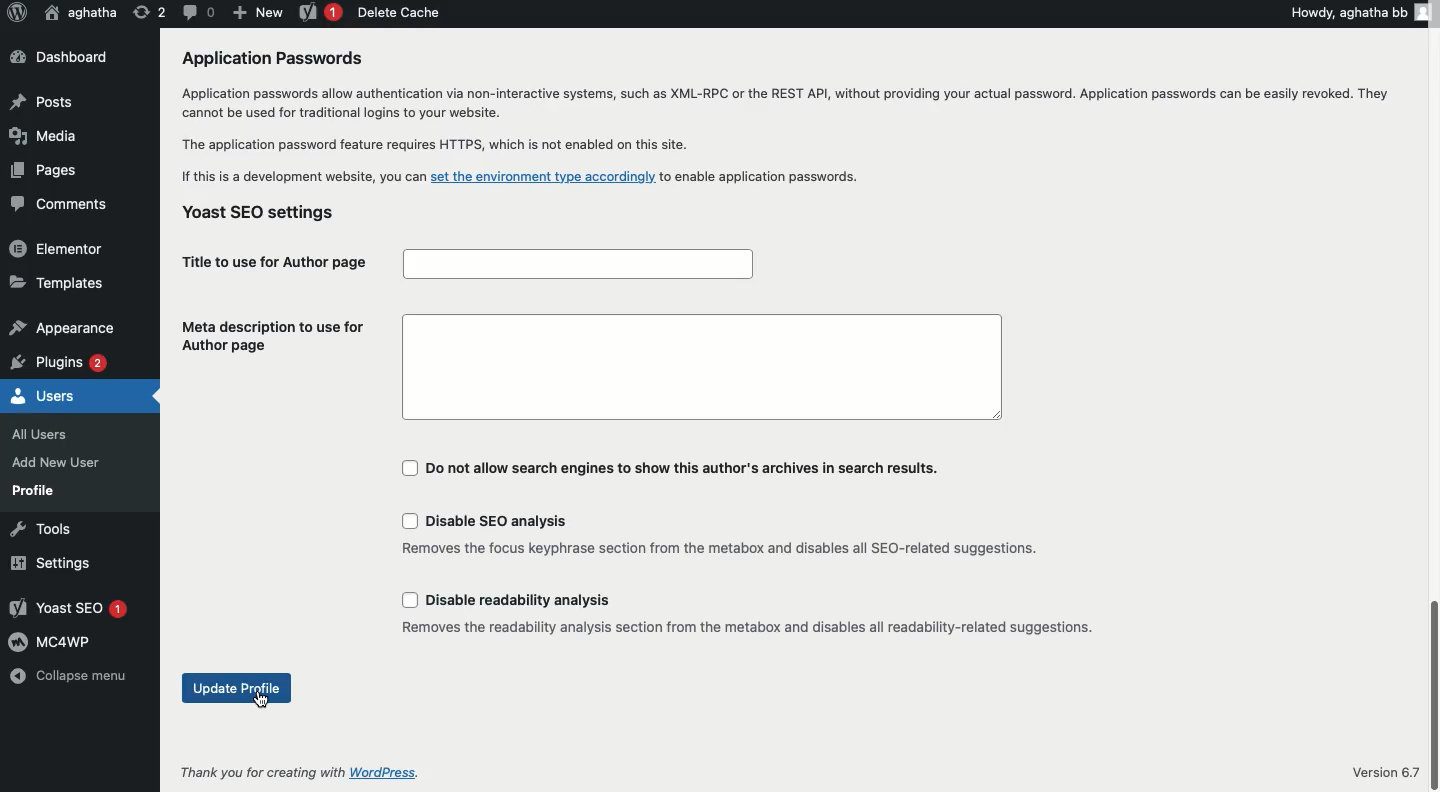  What do you see at coordinates (61, 325) in the screenshot?
I see `Appearance` at bounding box center [61, 325].